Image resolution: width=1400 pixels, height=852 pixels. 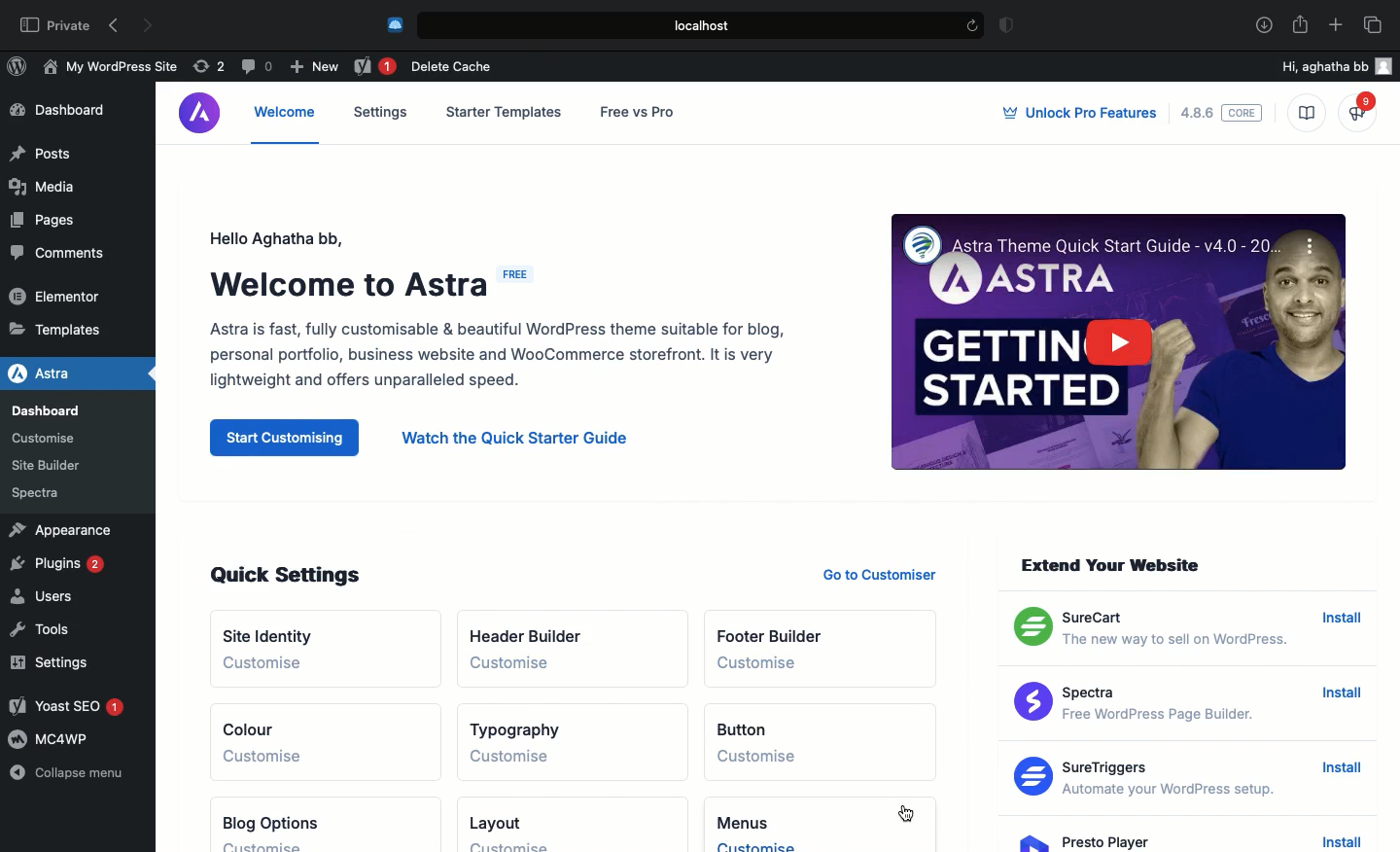 I want to click on Badge, so click(x=1010, y=27).